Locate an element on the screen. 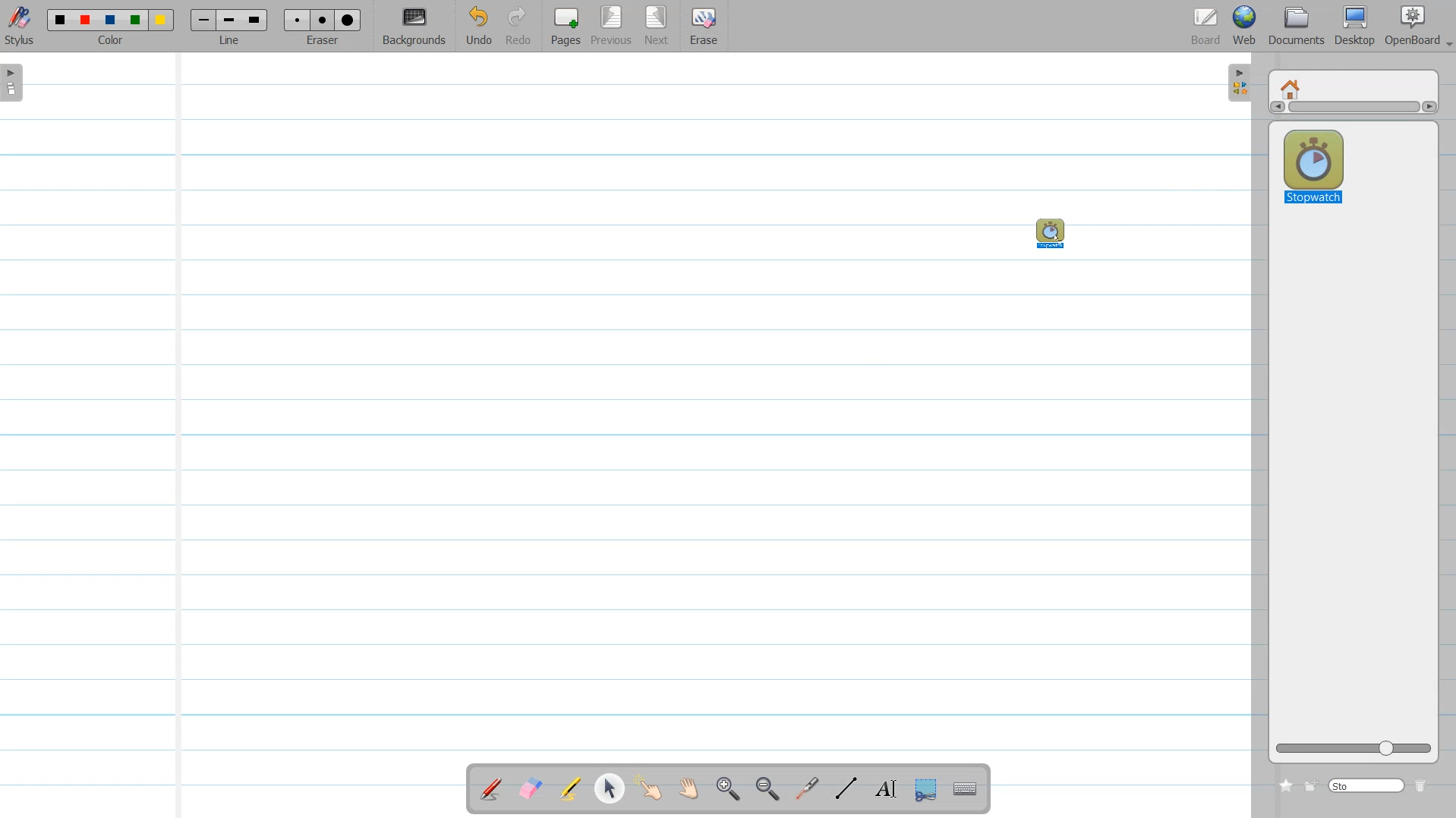 Image resolution: width=1456 pixels, height=818 pixels. Create new folder is located at coordinates (1311, 786).